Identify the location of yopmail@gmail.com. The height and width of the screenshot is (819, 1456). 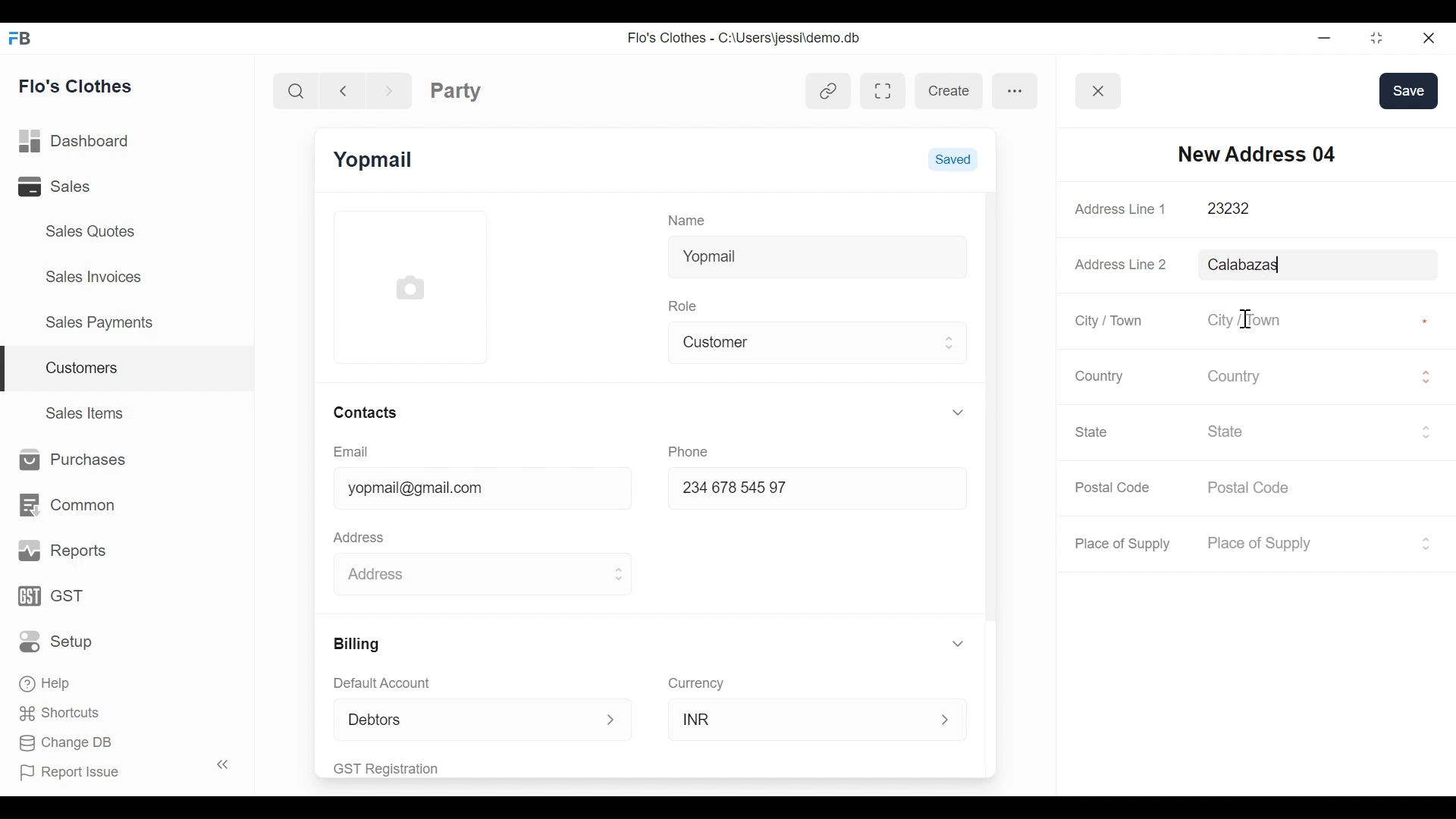
(469, 490).